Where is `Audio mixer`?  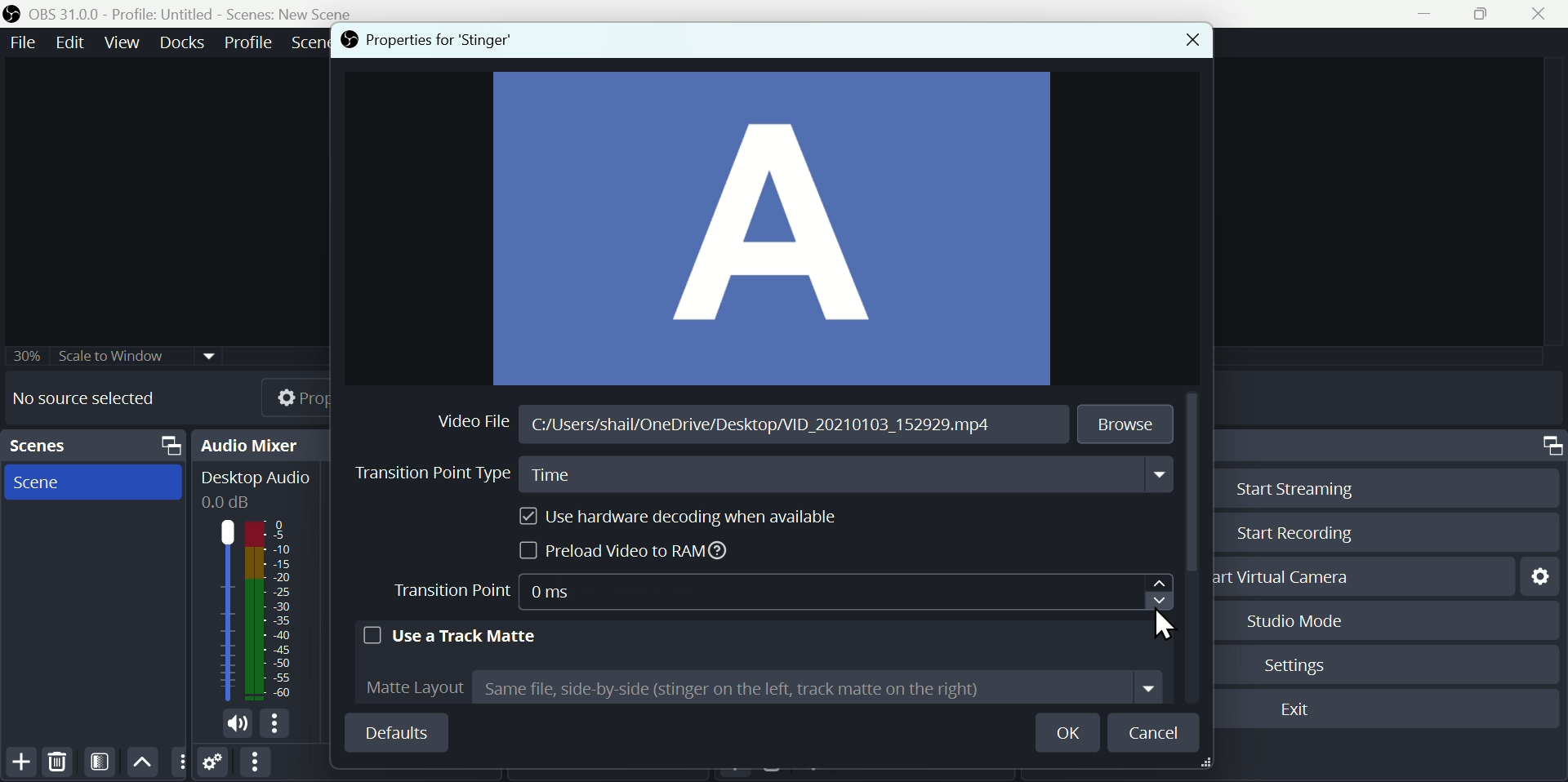
Audio mixer is located at coordinates (265, 444).